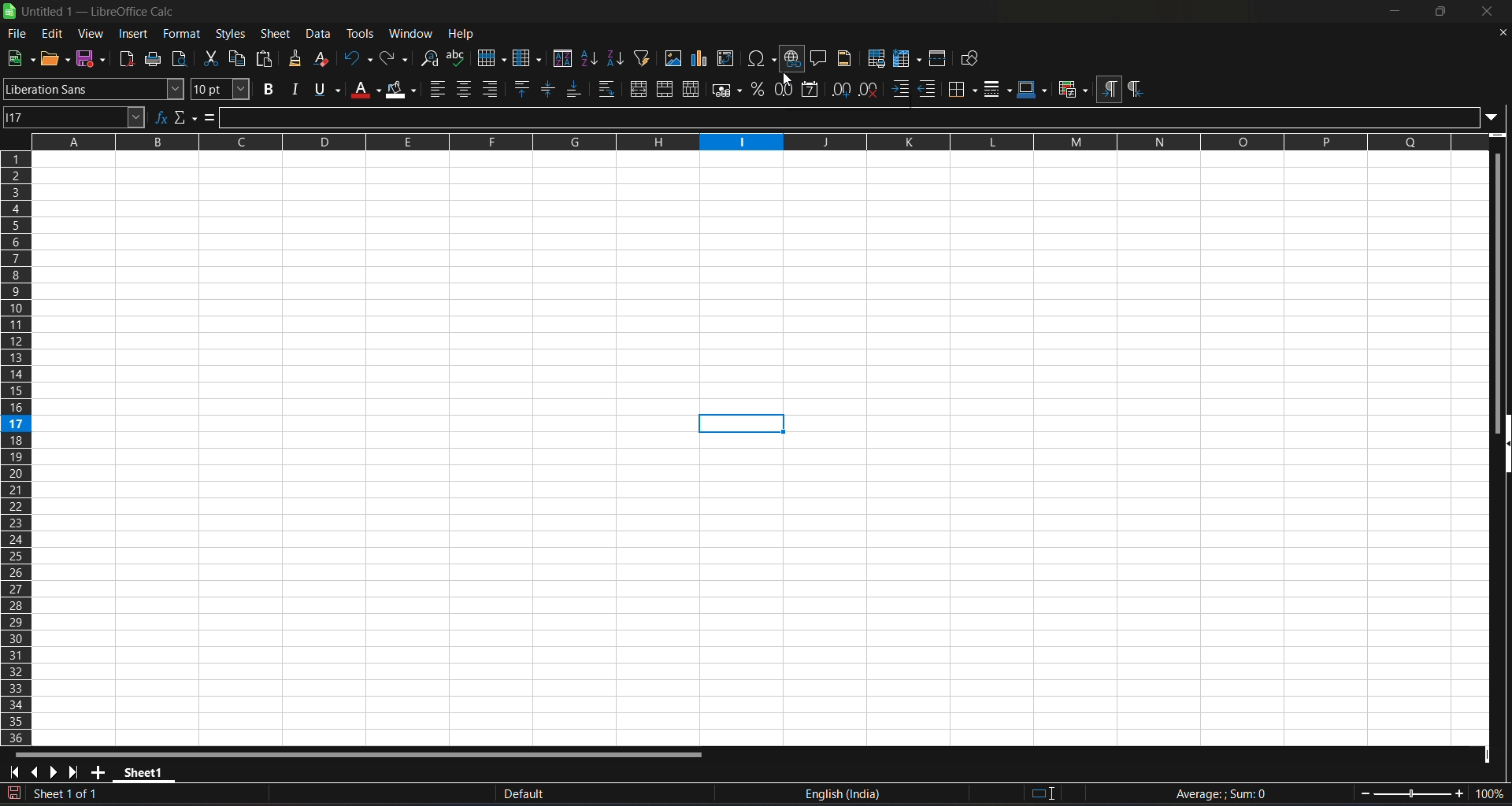 This screenshot has height=806, width=1512. I want to click on maximize, so click(1439, 12).